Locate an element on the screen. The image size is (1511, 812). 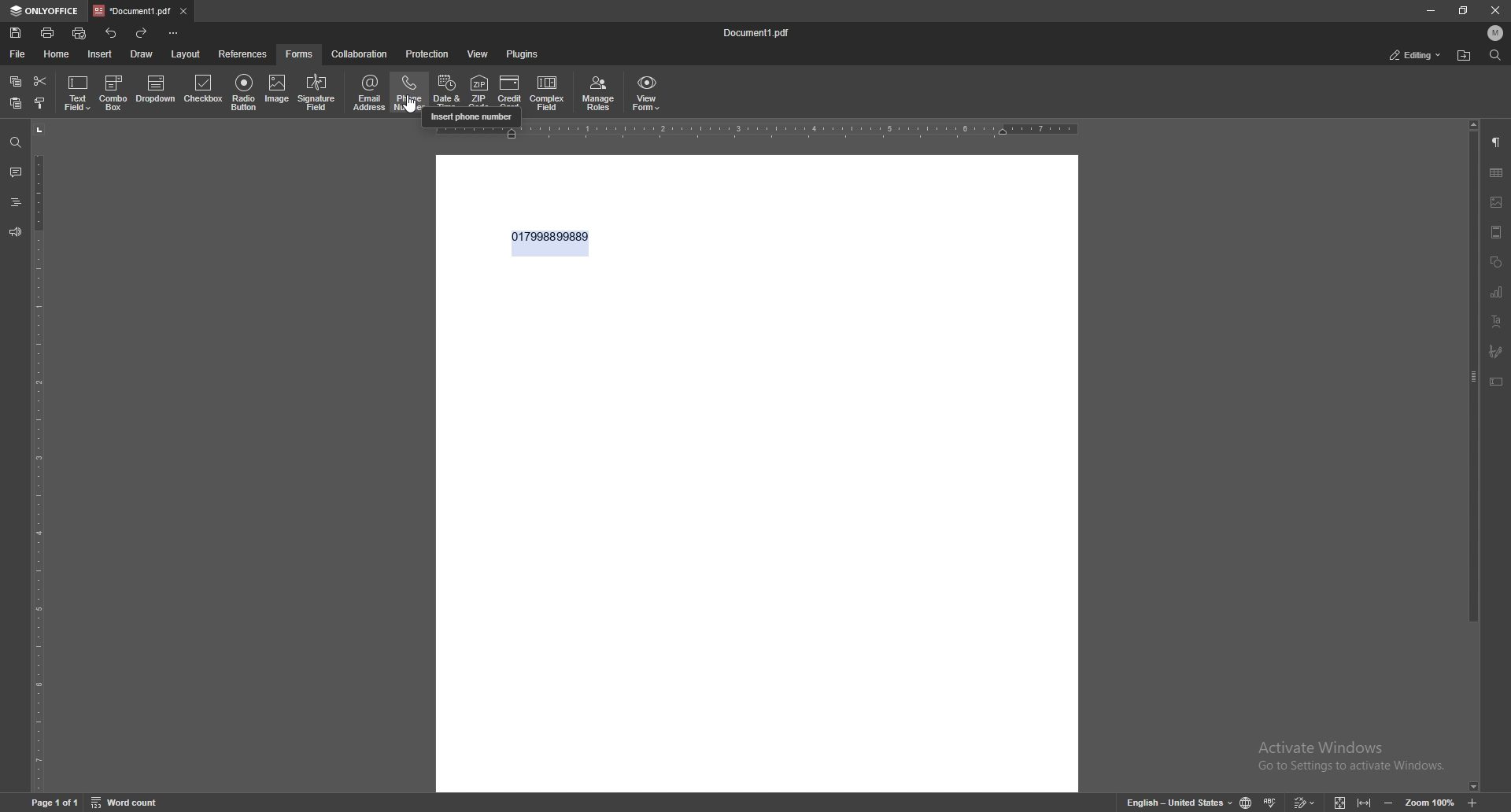
zoom 100% is located at coordinates (1429, 803).